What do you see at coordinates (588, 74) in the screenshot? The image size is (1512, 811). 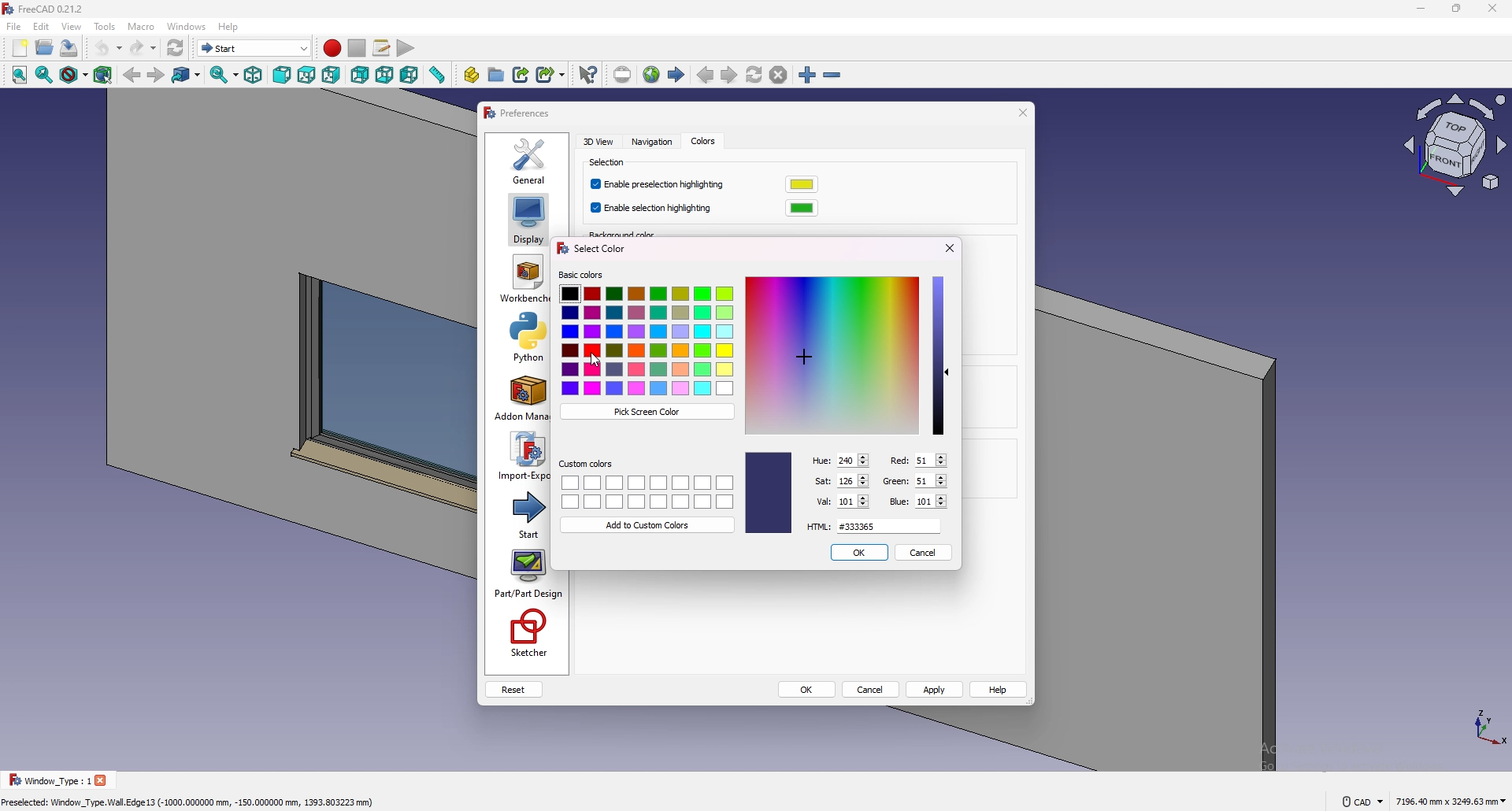 I see `what's this?` at bounding box center [588, 74].